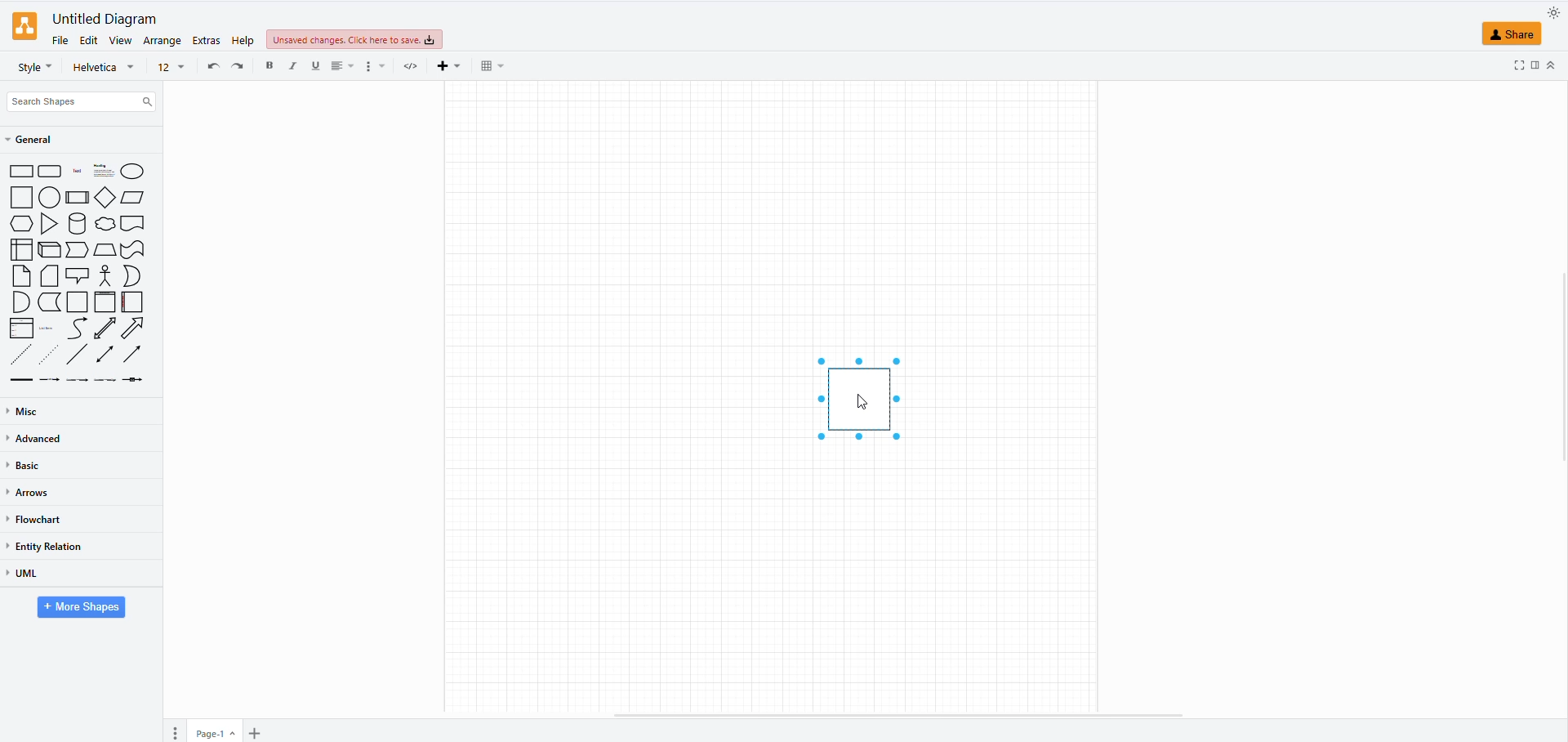 The image size is (1568, 742). I want to click on link, so click(23, 379).